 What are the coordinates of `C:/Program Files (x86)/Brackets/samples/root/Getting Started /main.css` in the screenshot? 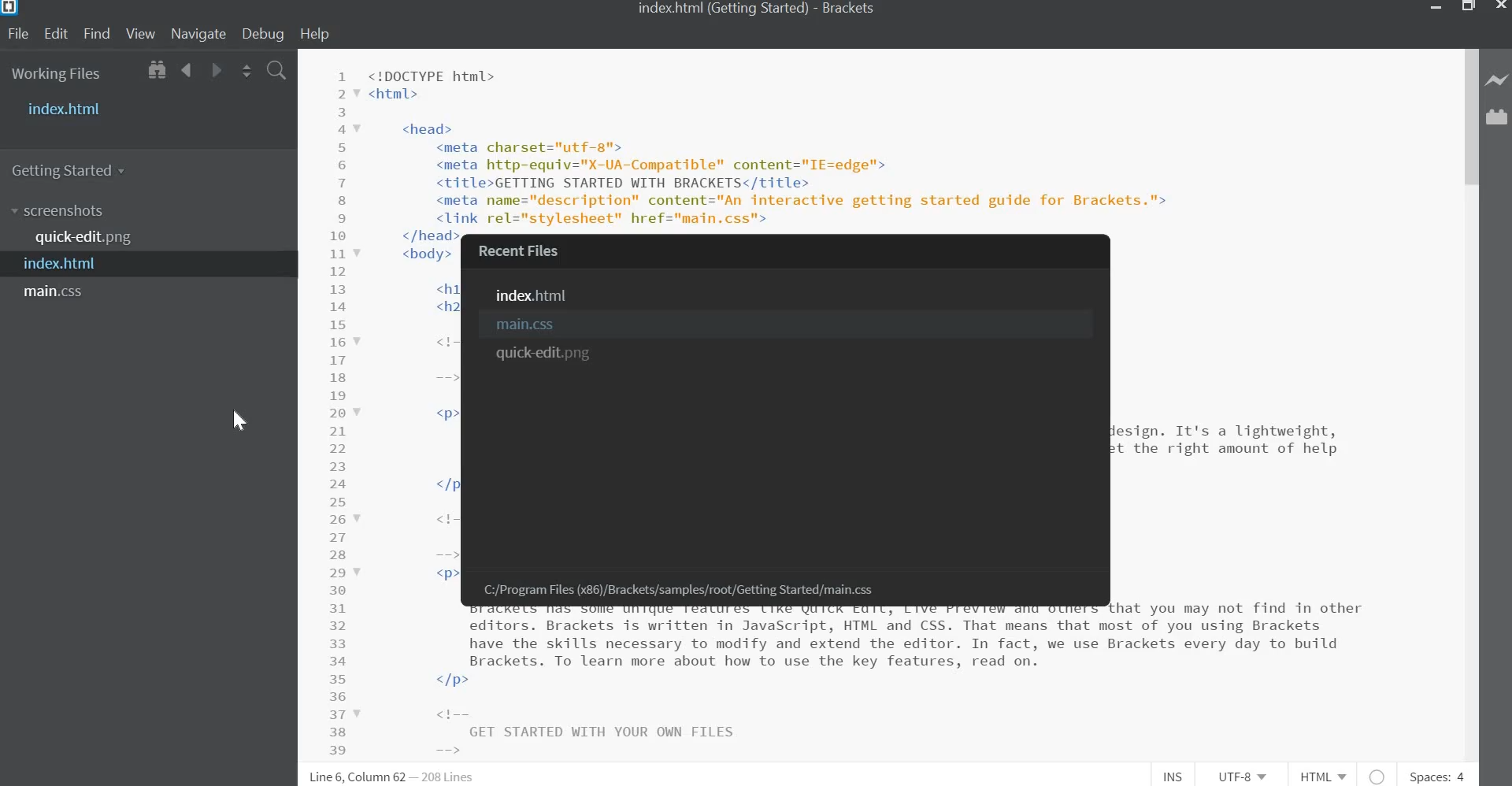 It's located at (669, 591).